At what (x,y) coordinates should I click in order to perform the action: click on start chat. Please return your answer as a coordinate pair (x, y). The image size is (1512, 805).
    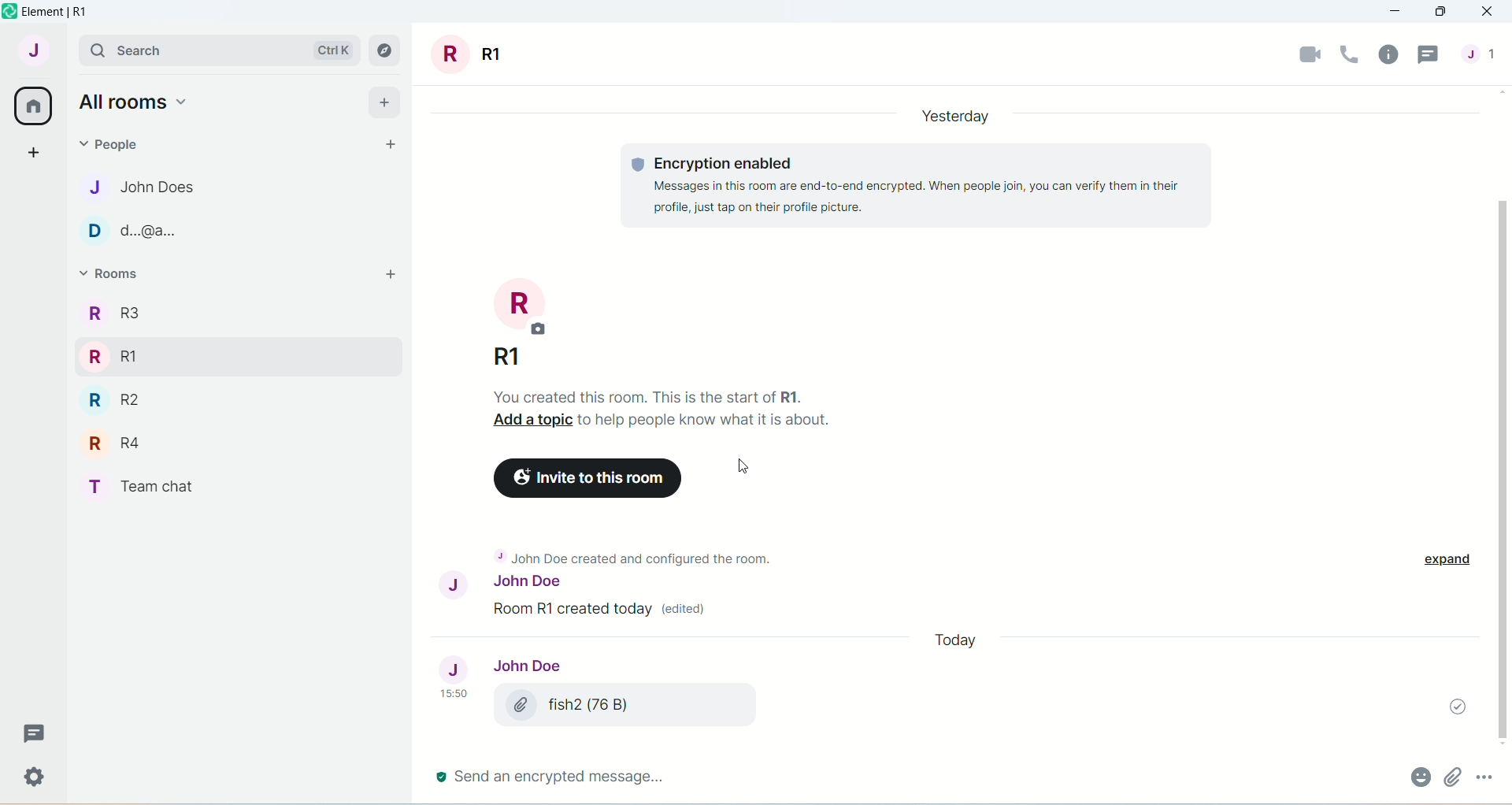
    Looking at the image, I should click on (393, 143).